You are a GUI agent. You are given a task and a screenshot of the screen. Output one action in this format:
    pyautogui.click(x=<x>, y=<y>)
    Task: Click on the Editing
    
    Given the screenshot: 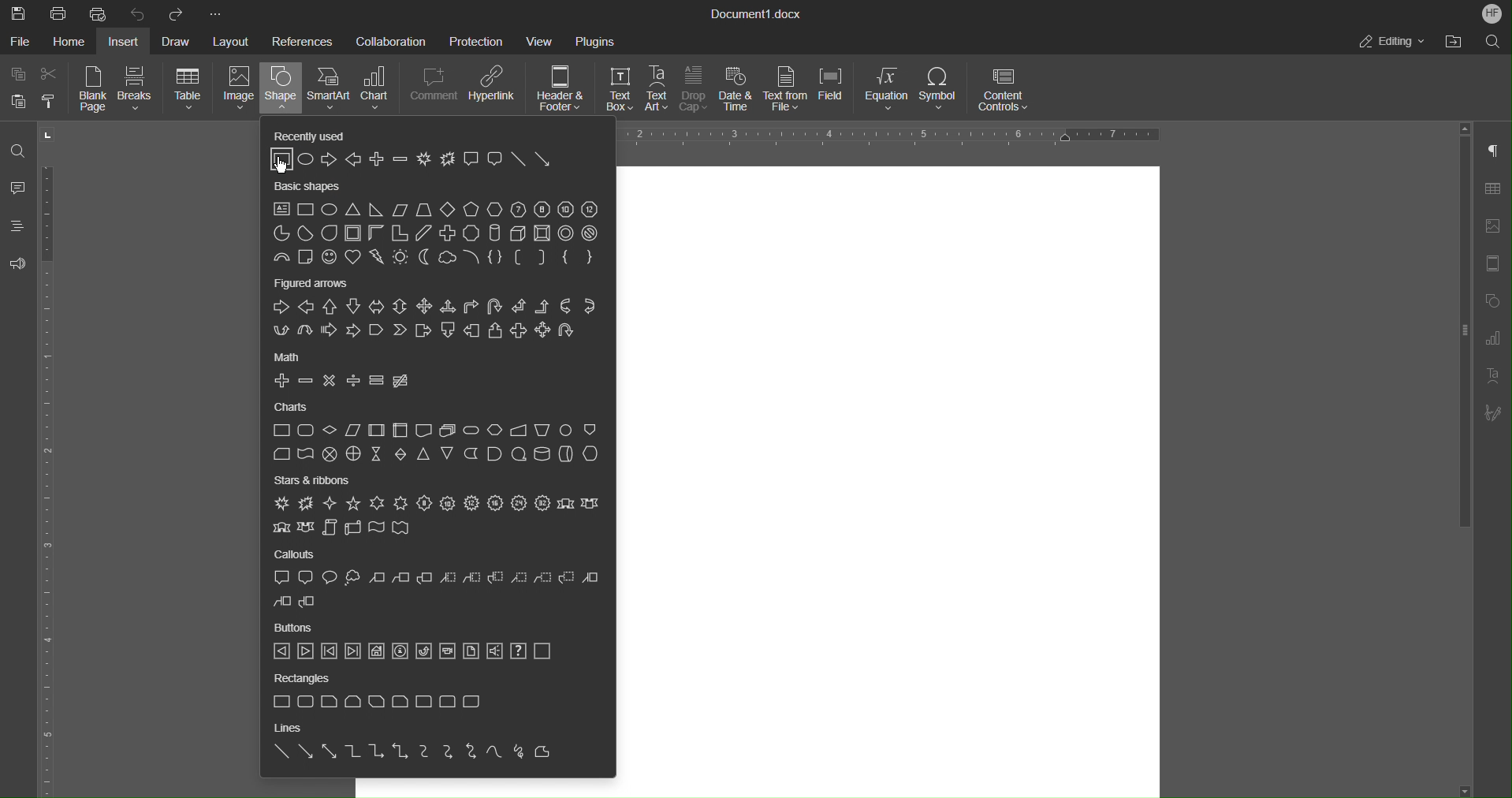 What is the action you would take?
    pyautogui.click(x=1393, y=42)
    